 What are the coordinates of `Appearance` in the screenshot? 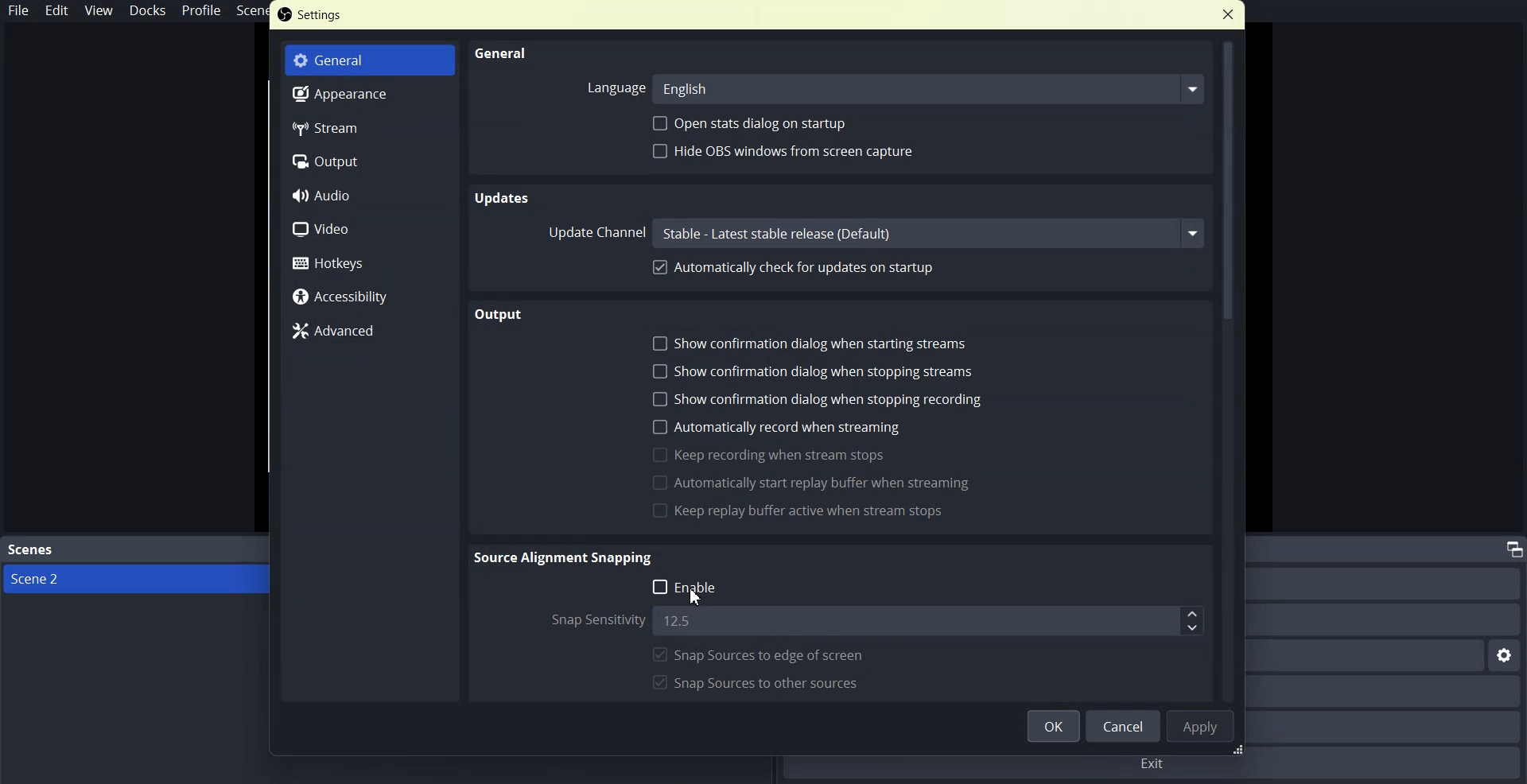 It's located at (371, 95).